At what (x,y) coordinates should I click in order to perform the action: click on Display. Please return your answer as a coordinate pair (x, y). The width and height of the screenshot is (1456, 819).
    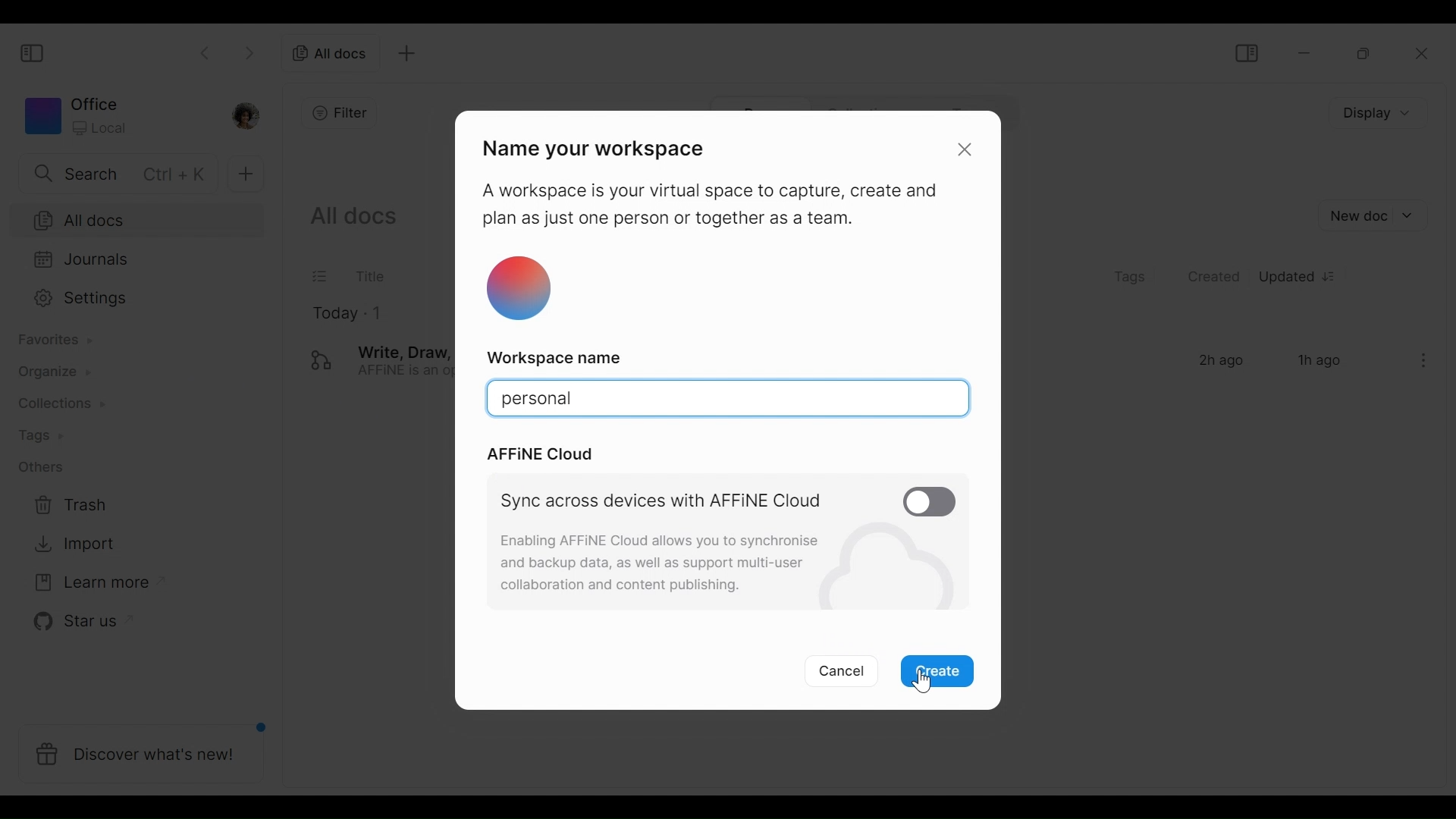
    Looking at the image, I should click on (1377, 115).